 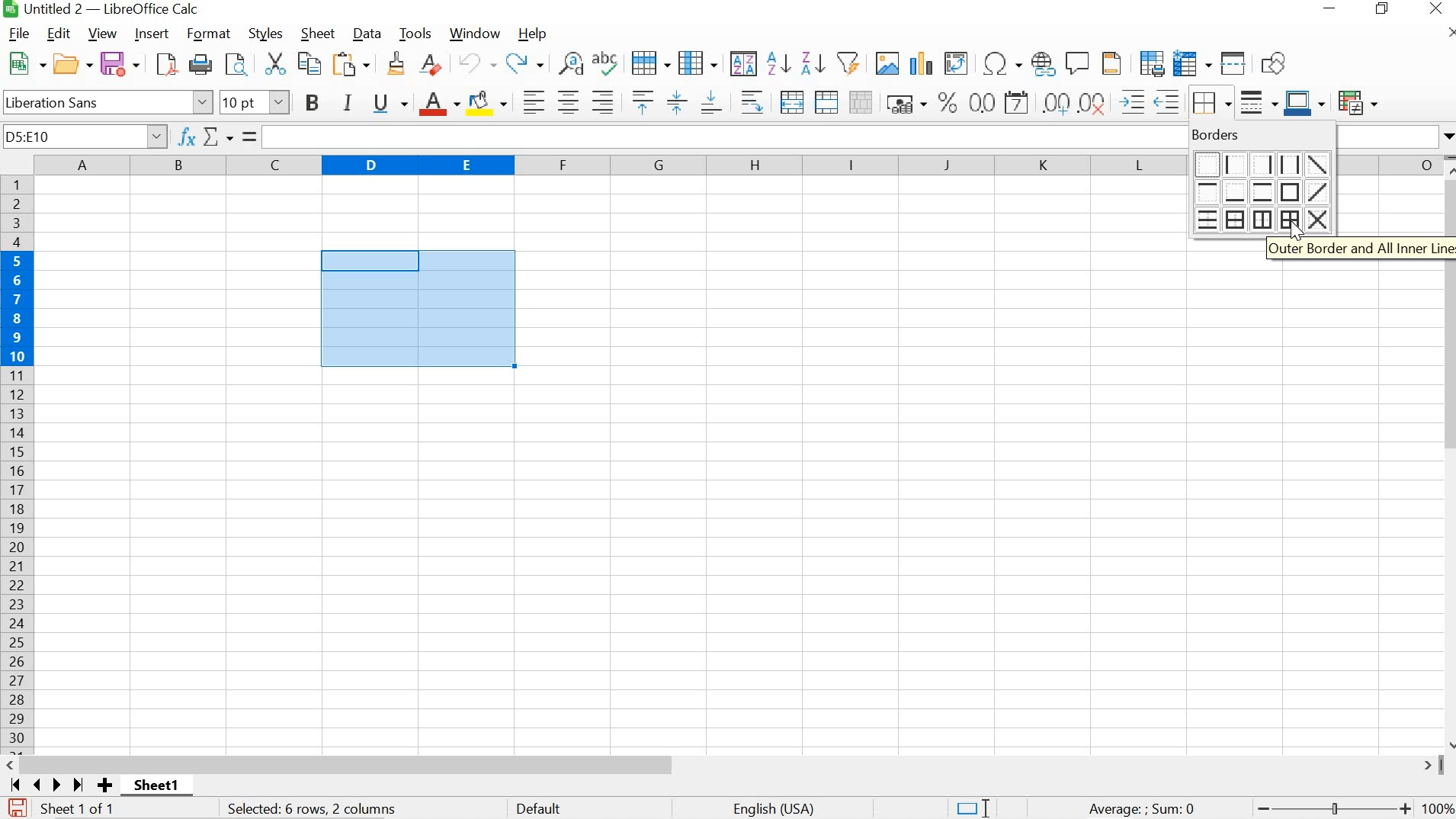 What do you see at coordinates (1259, 134) in the screenshot?
I see `borders` at bounding box center [1259, 134].